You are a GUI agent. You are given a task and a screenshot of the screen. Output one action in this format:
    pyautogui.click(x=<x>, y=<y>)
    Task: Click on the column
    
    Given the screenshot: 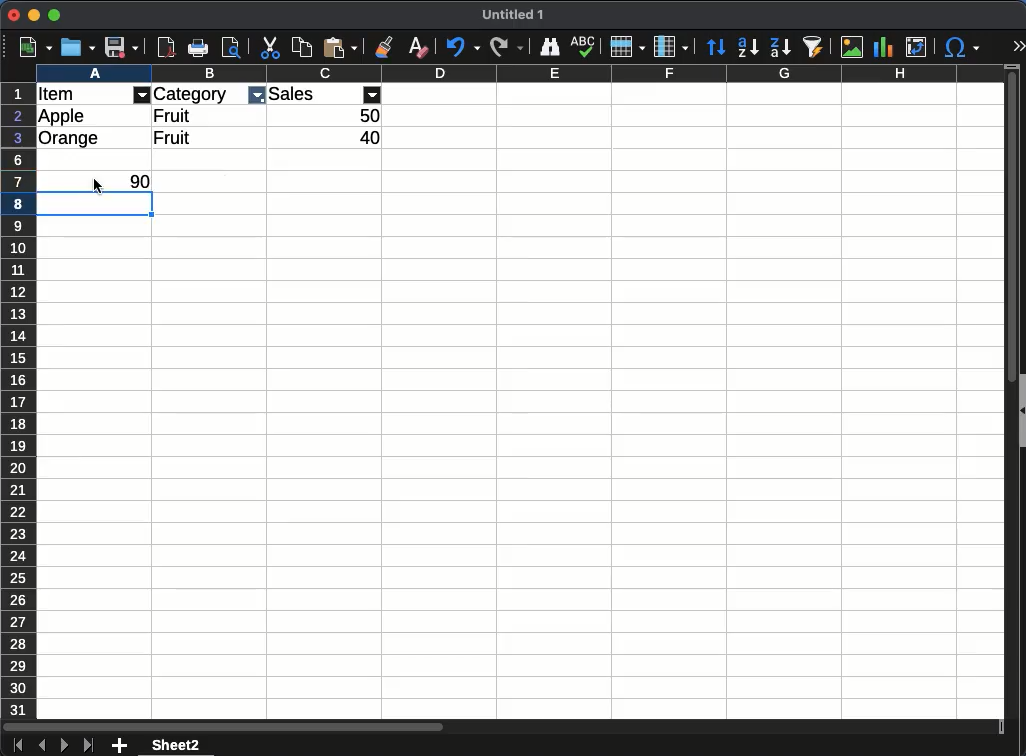 What is the action you would take?
    pyautogui.click(x=670, y=46)
    